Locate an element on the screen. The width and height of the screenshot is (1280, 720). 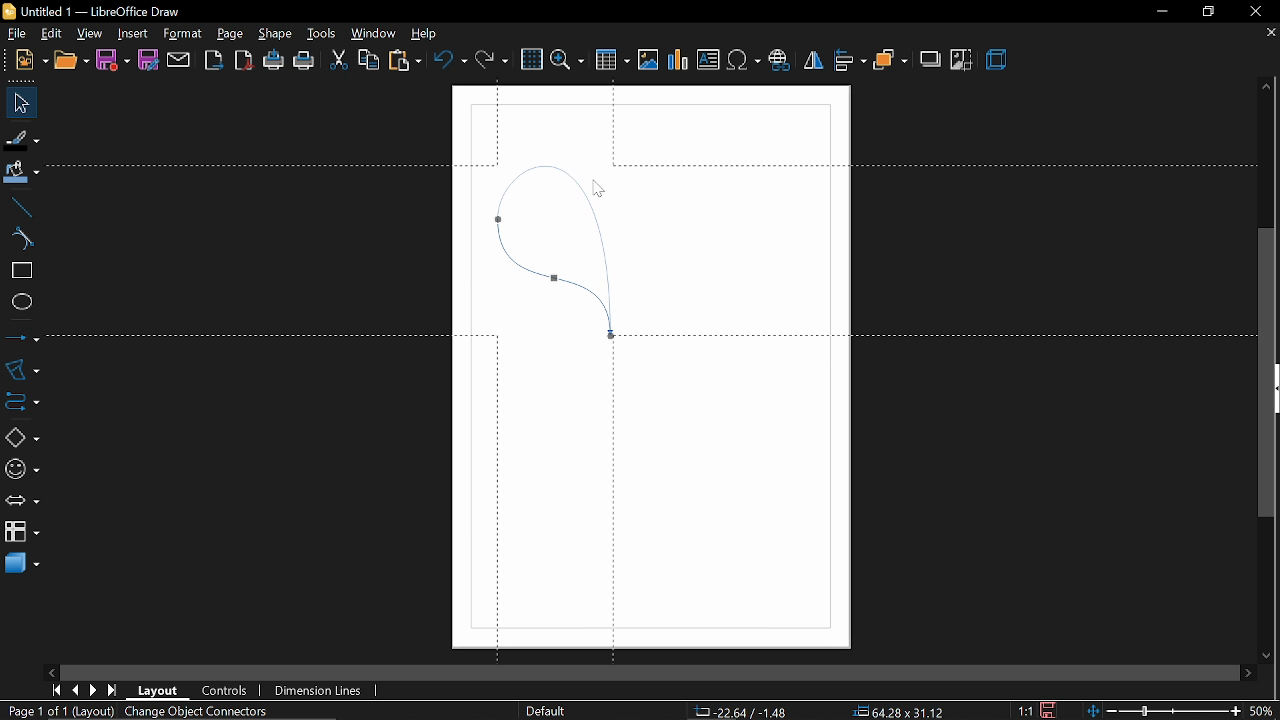
format is located at coordinates (182, 34).